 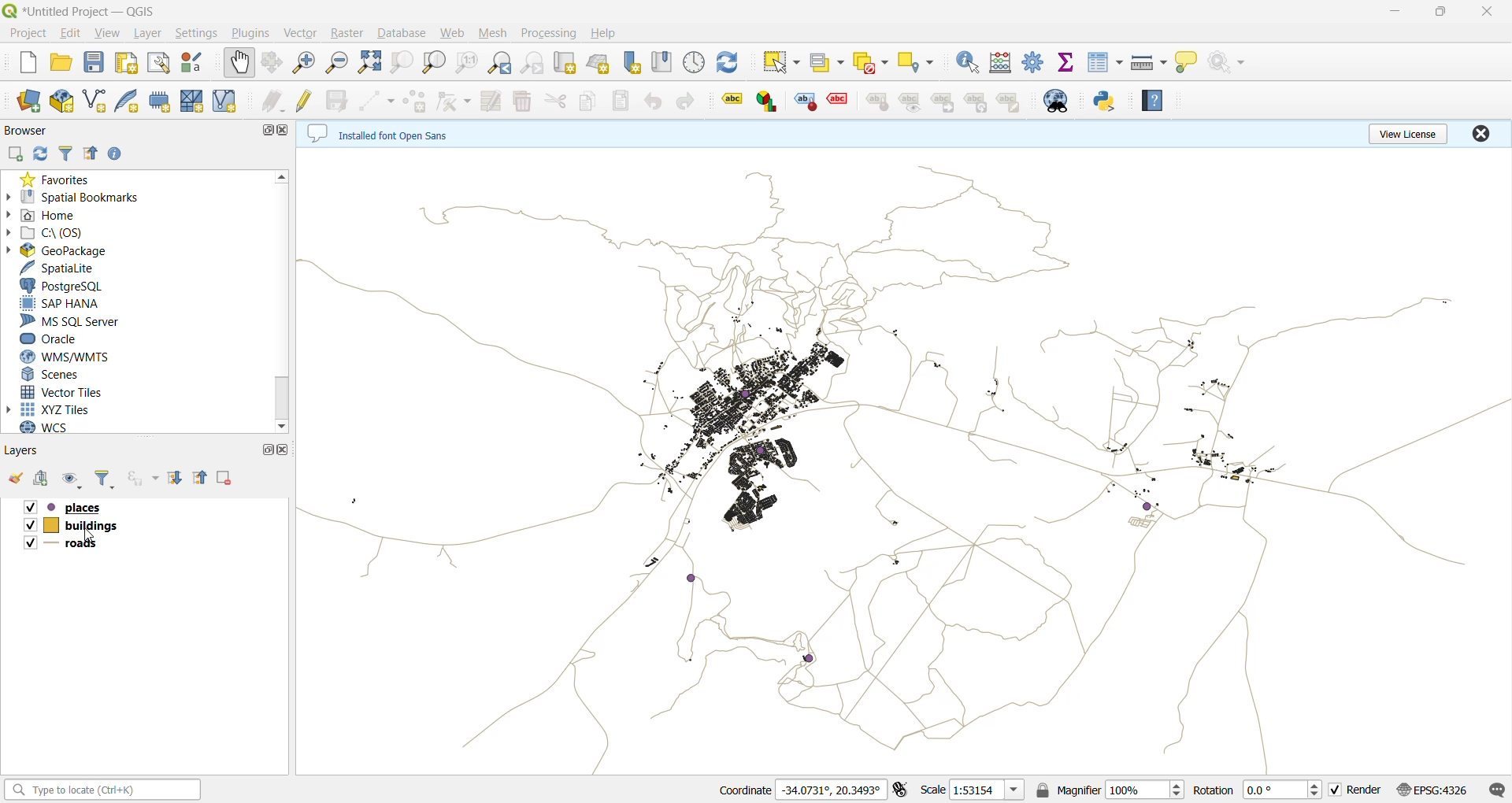 I want to click on attributes table, so click(x=1104, y=62).